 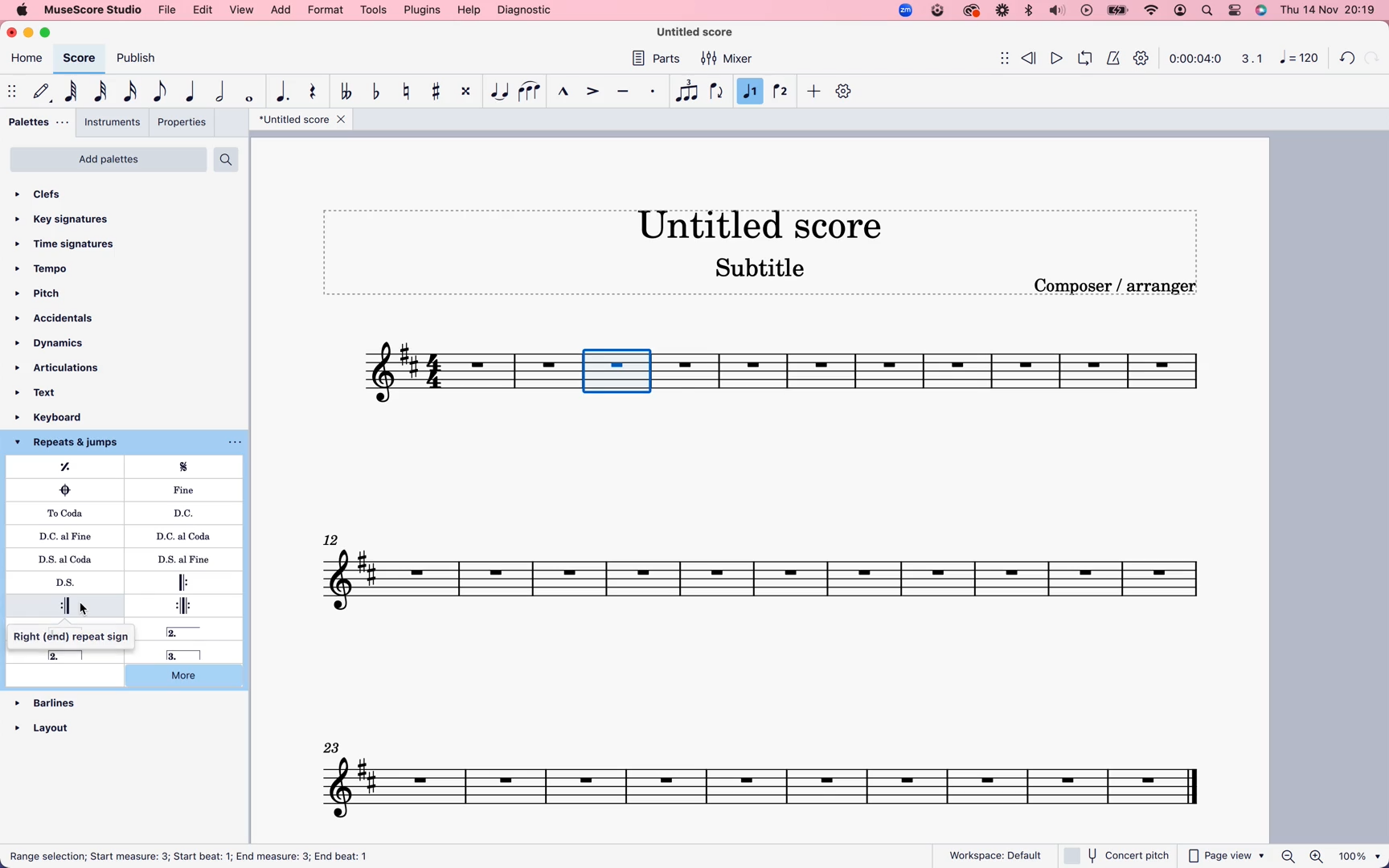 What do you see at coordinates (468, 10) in the screenshot?
I see `help` at bounding box center [468, 10].